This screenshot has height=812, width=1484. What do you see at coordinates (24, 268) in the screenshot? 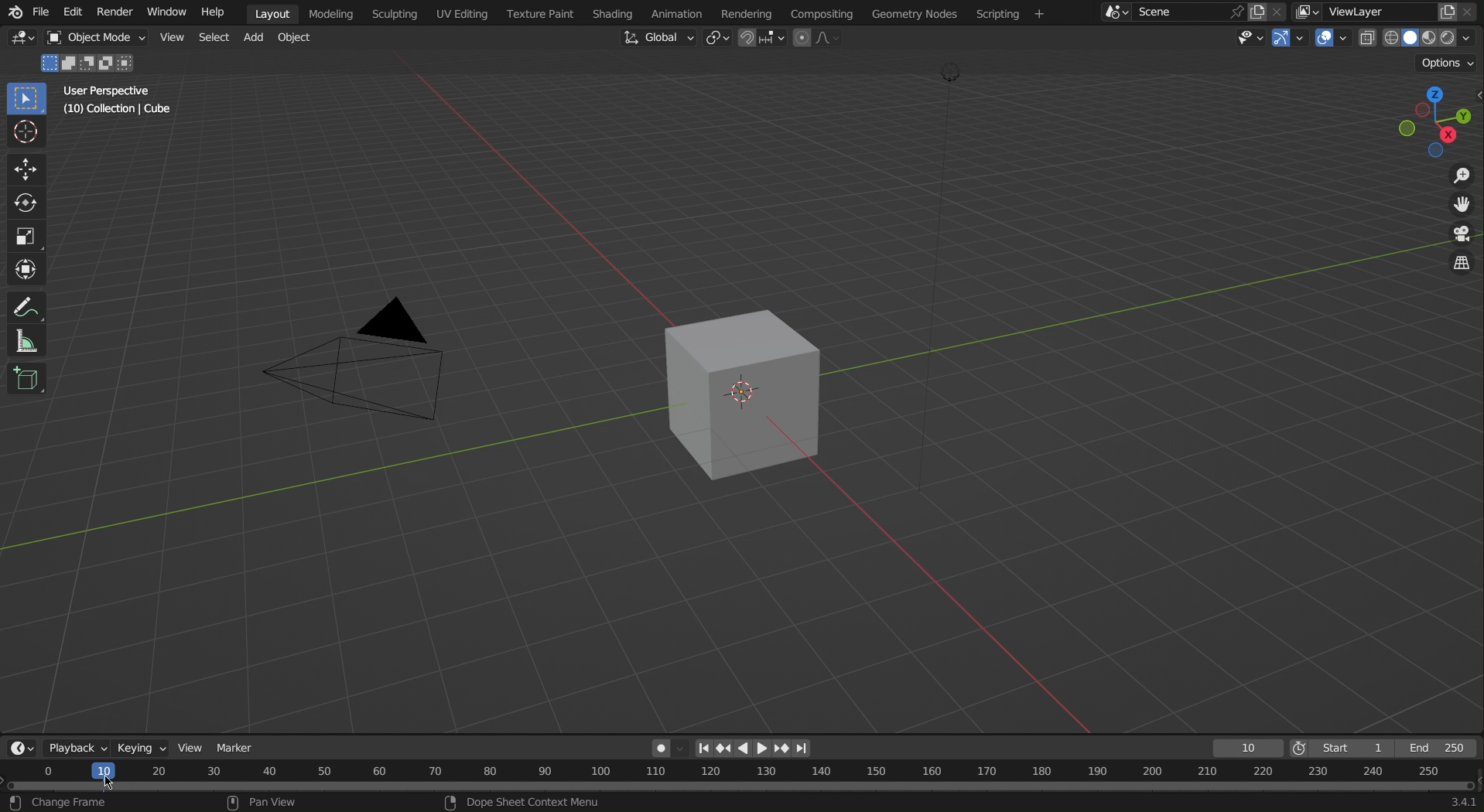
I see `Transform` at bounding box center [24, 268].